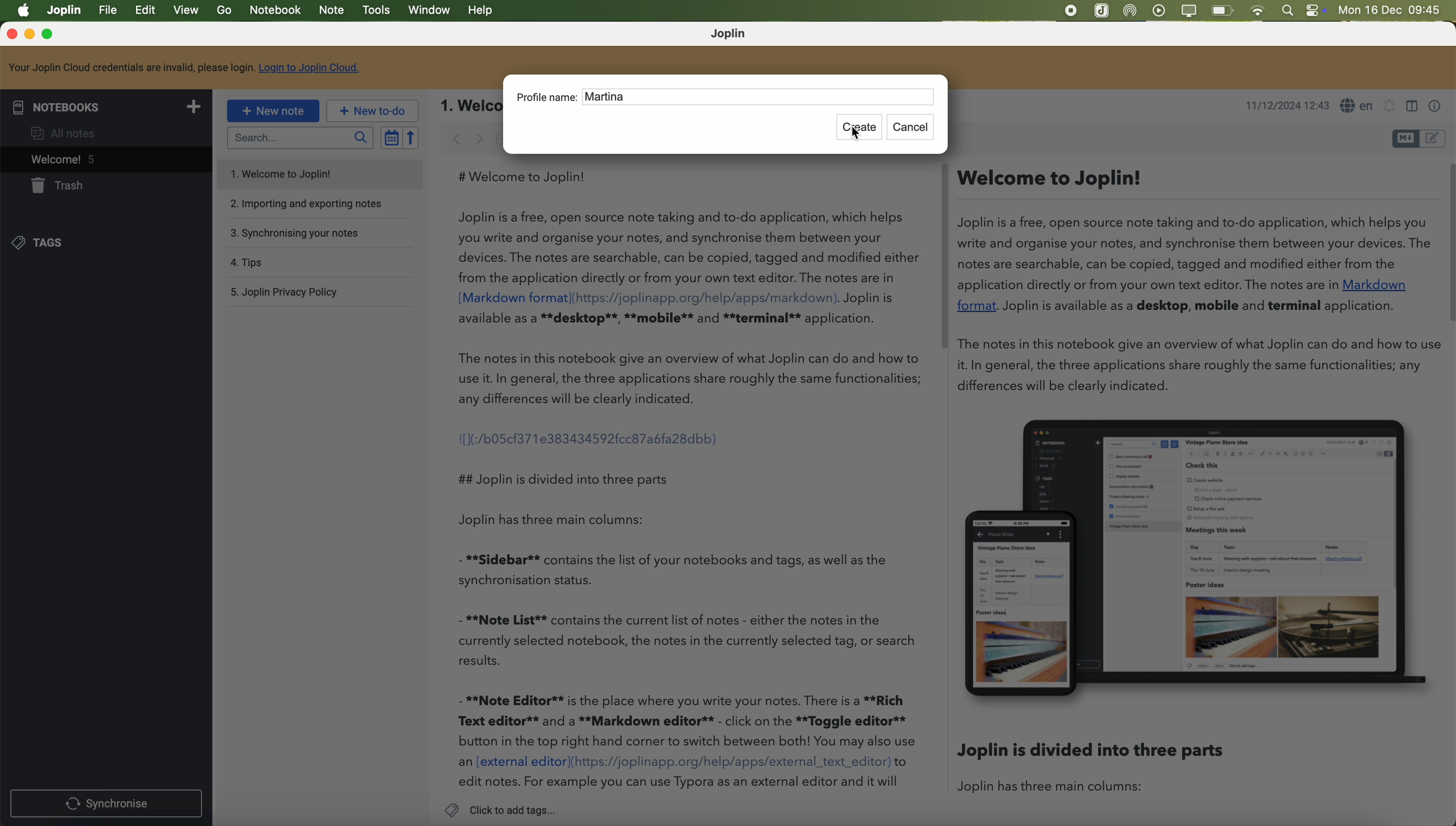 This screenshot has height=826, width=1456. What do you see at coordinates (680, 569) in the screenshot?
I see `- **Sidebar** contains the list of your notebooks and tags, as well as the
synchronisation status.` at bounding box center [680, 569].